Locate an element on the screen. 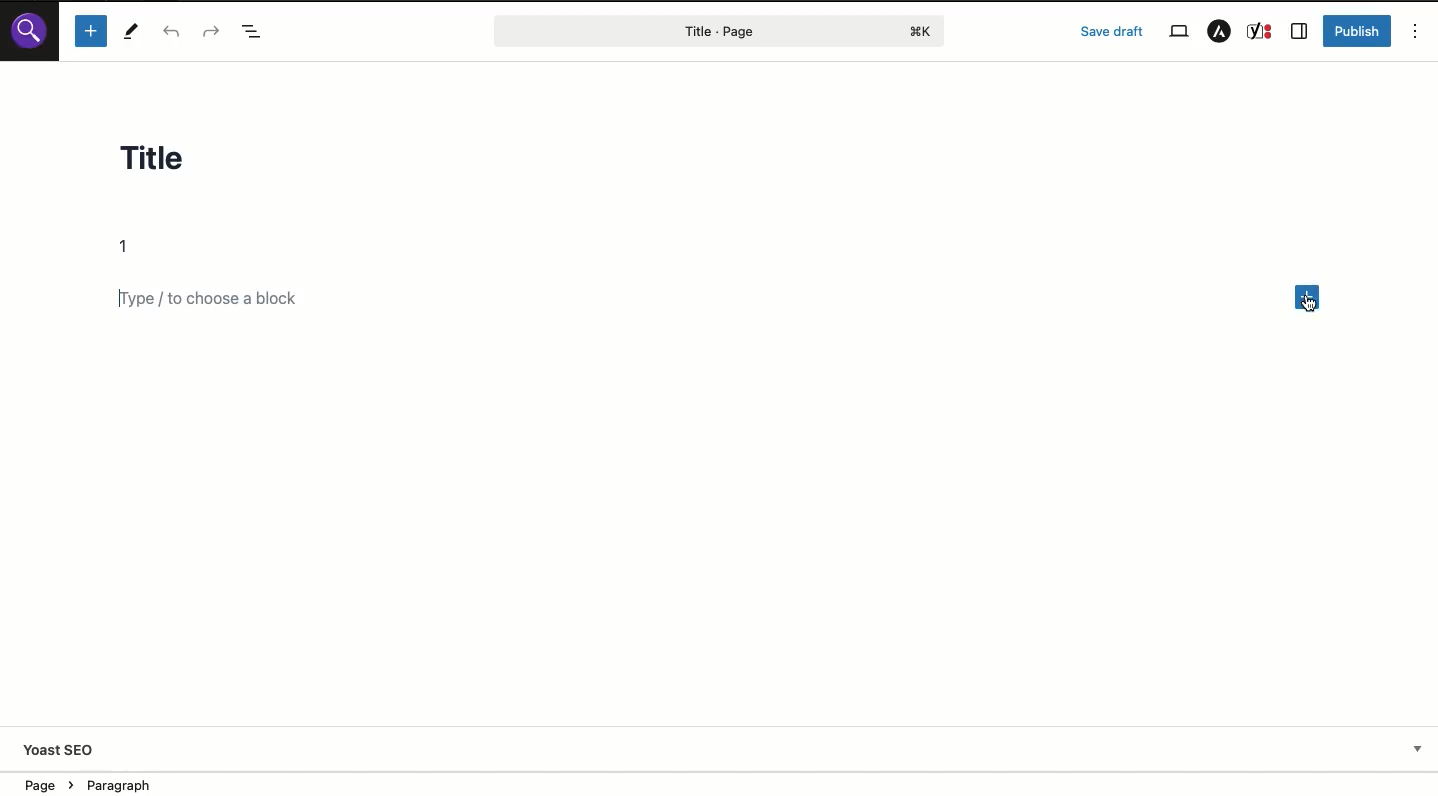 The height and width of the screenshot is (796, 1438). Options is located at coordinates (1416, 30).